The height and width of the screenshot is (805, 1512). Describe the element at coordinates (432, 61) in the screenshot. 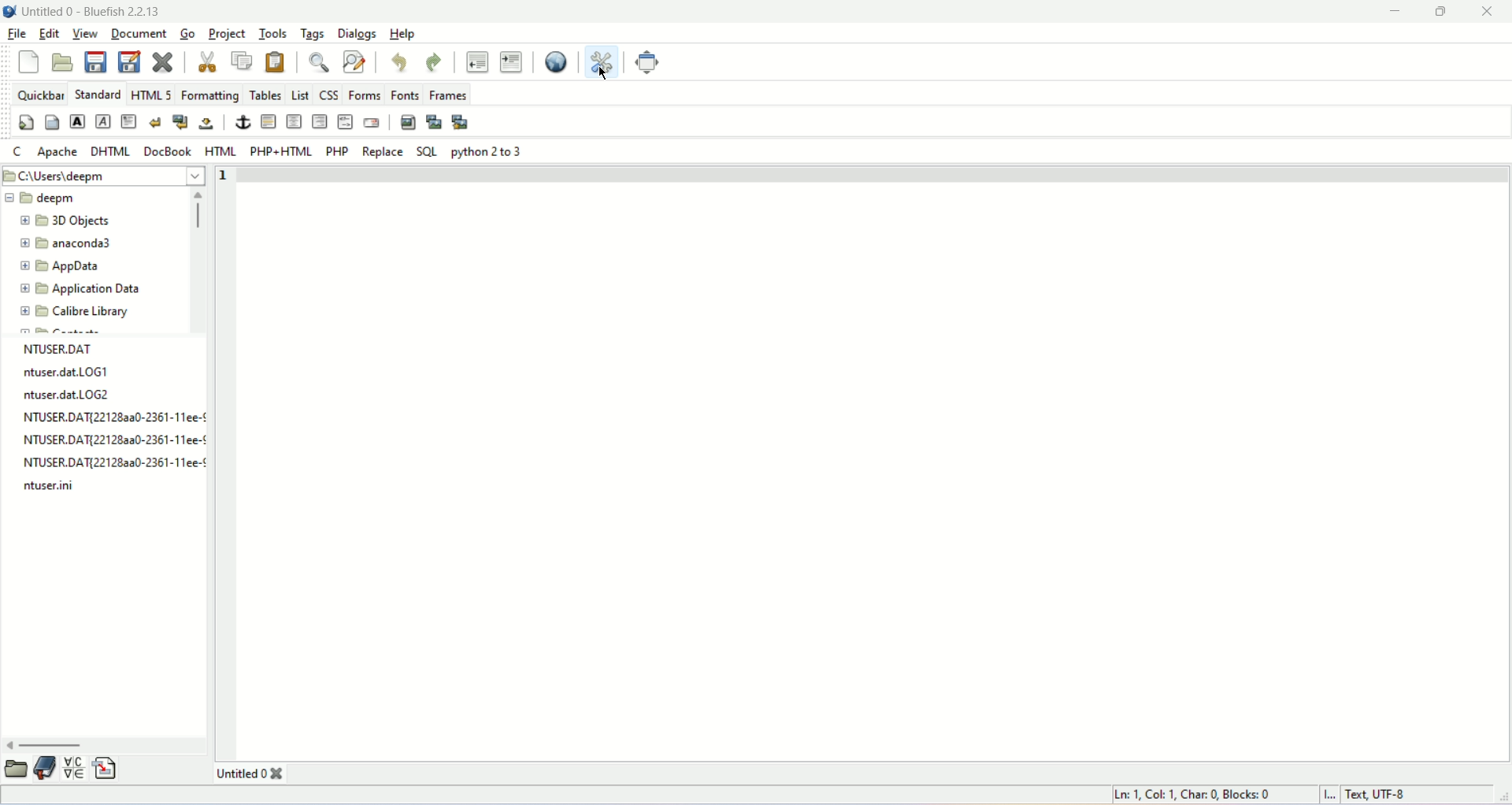

I see `redo` at that location.